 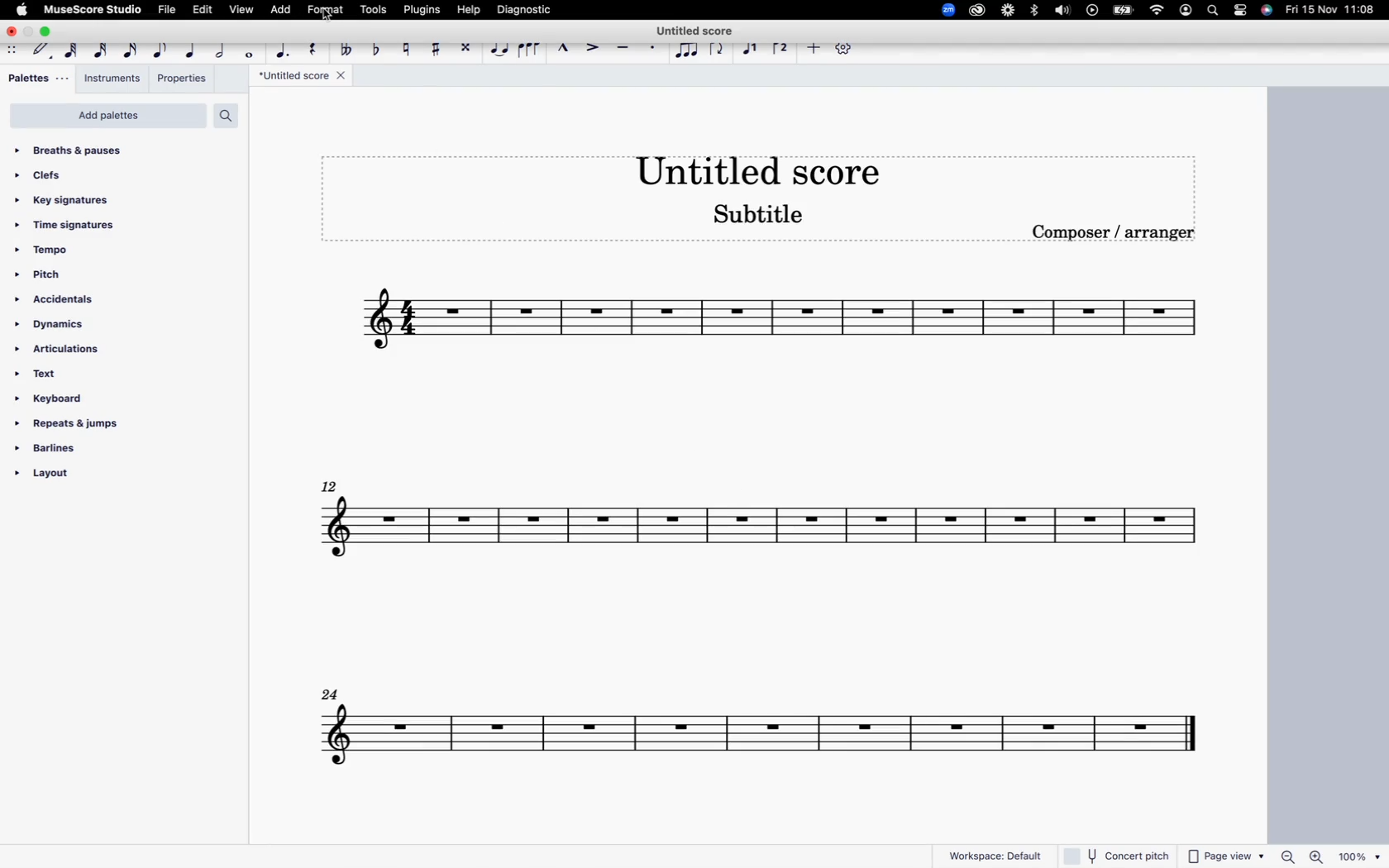 What do you see at coordinates (562, 49) in the screenshot?
I see `marcatto` at bounding box center [562, 49].